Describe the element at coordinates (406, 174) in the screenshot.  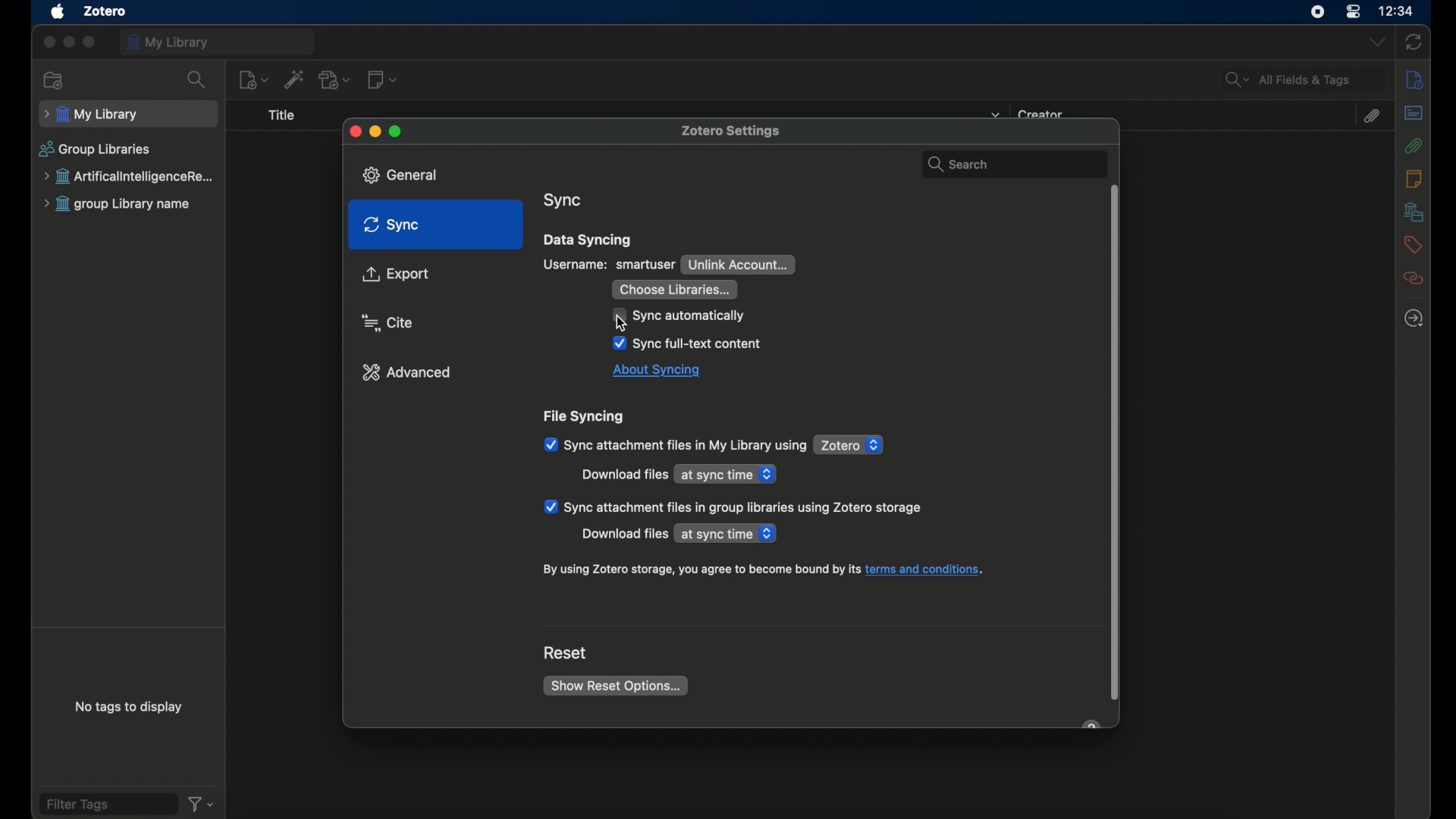
I see `general tab` at that location.